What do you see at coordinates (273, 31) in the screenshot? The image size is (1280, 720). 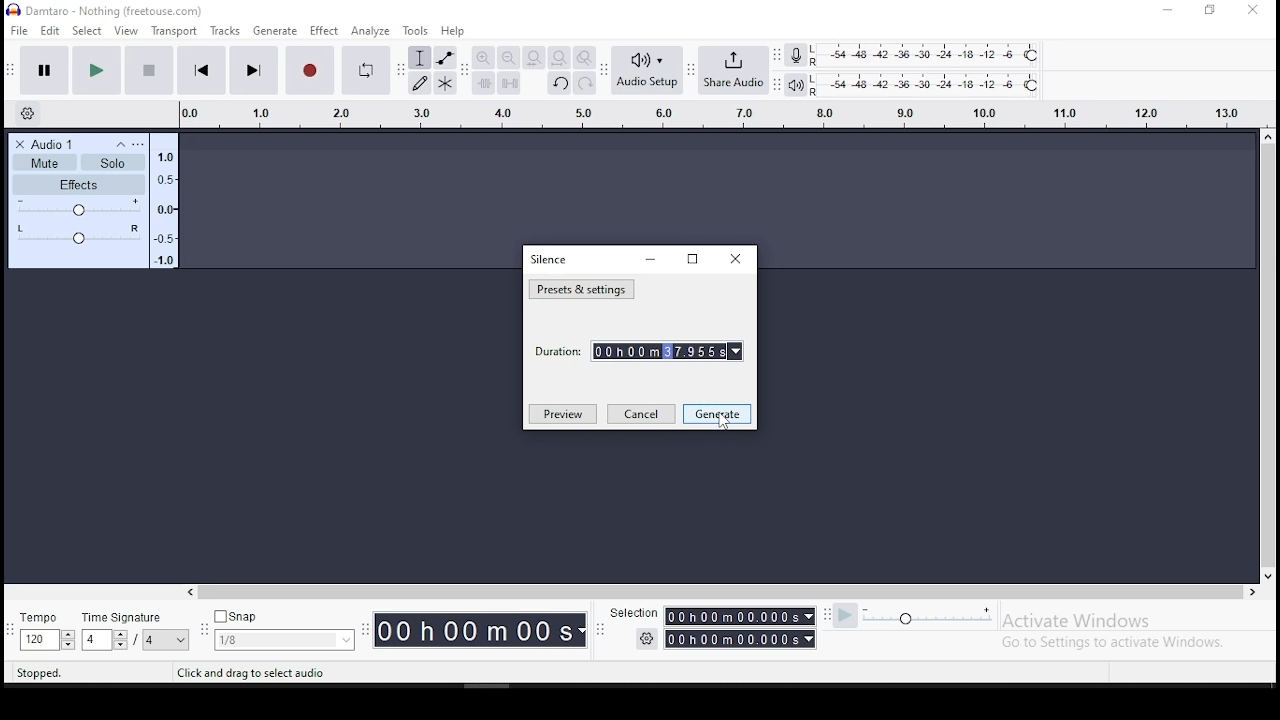 I see `generate` at bounding box center [273, 31].